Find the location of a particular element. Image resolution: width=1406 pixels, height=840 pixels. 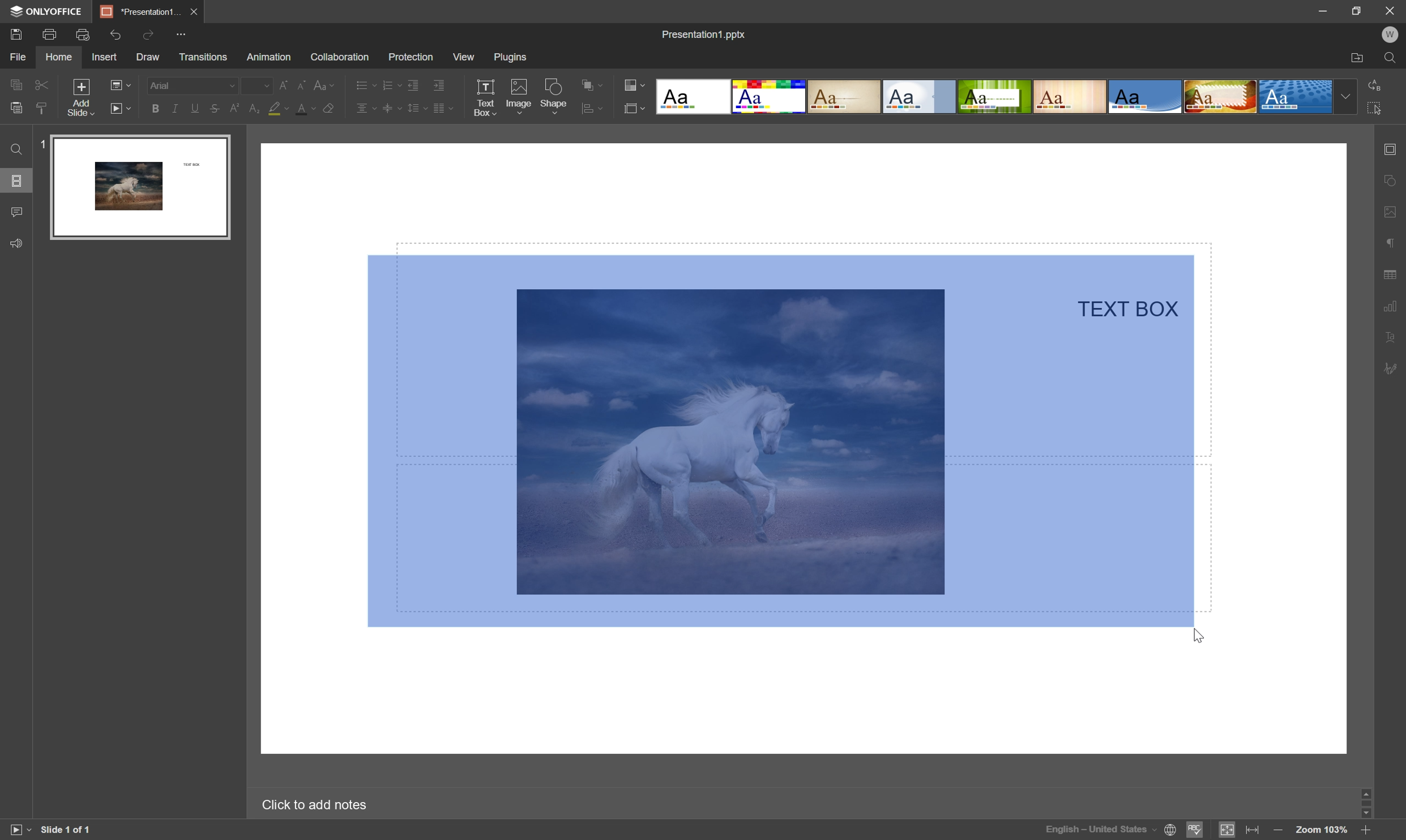

cursor is located at coordinates (1202, 635).